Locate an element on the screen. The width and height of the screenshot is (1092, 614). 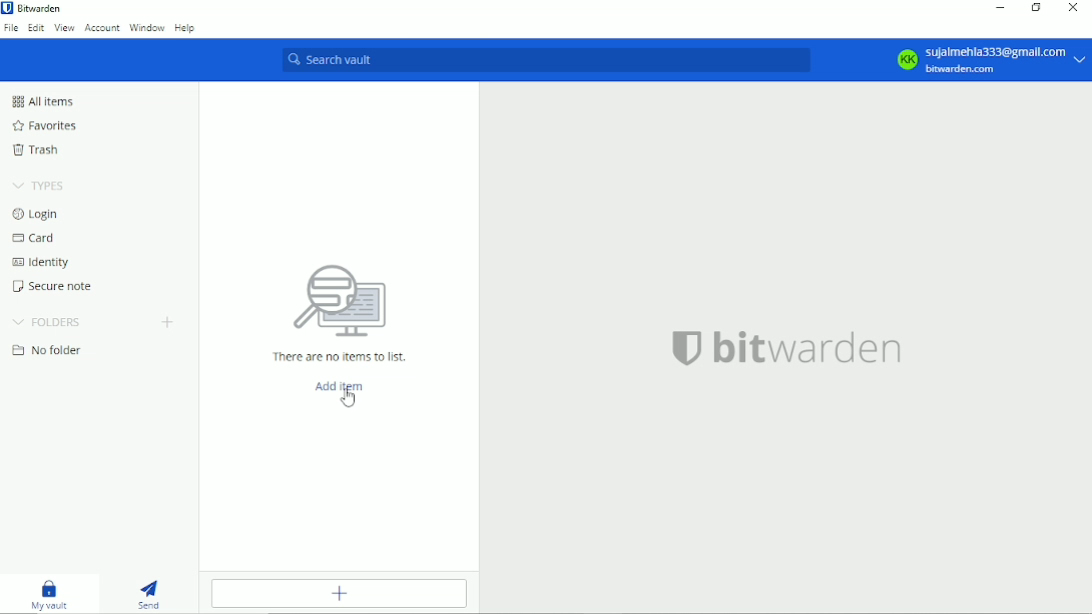
Window is located at coordinates (146, 28).